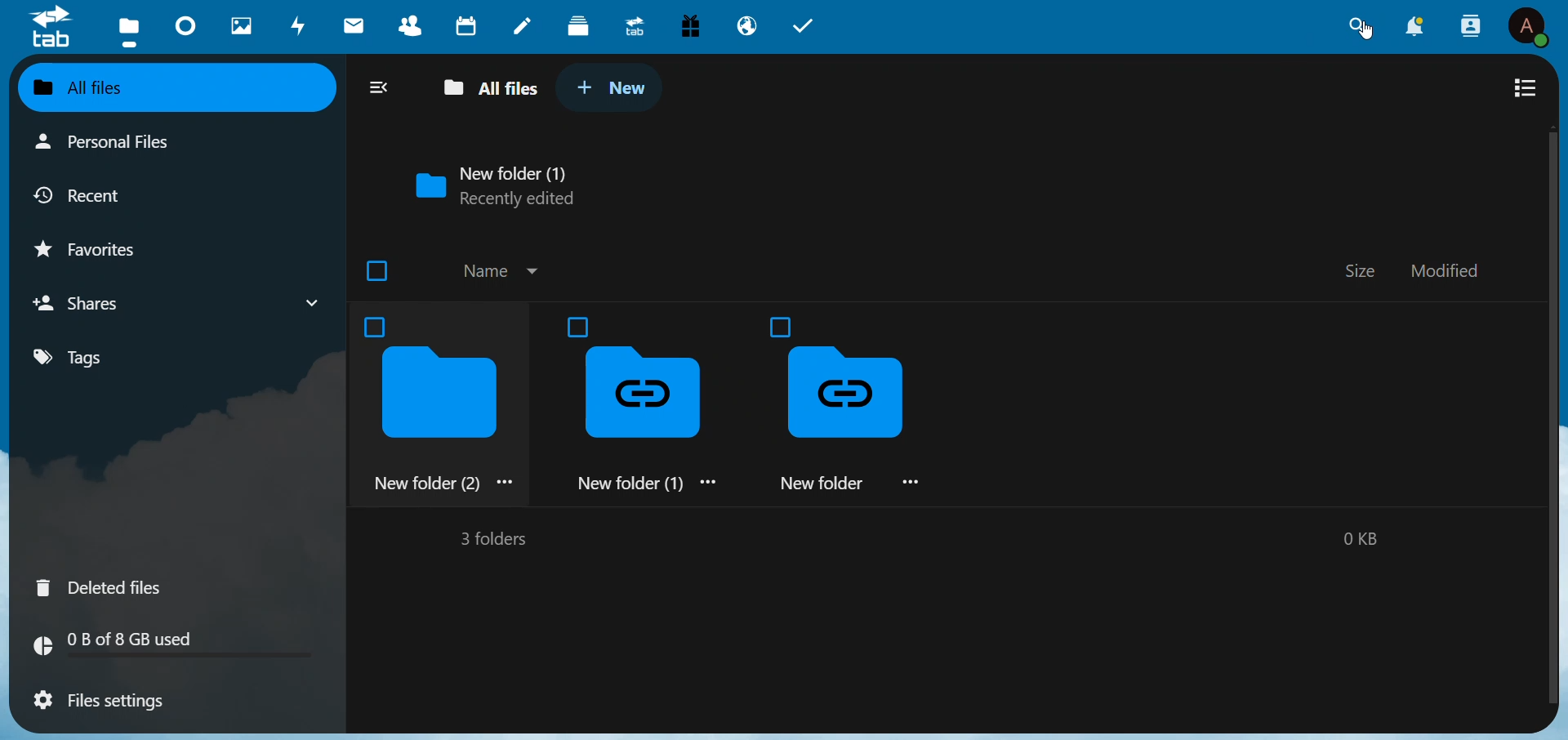 Image resolution: width=1568 pixels, height=740 pixels. I want to click on mail, so click(357, 26).